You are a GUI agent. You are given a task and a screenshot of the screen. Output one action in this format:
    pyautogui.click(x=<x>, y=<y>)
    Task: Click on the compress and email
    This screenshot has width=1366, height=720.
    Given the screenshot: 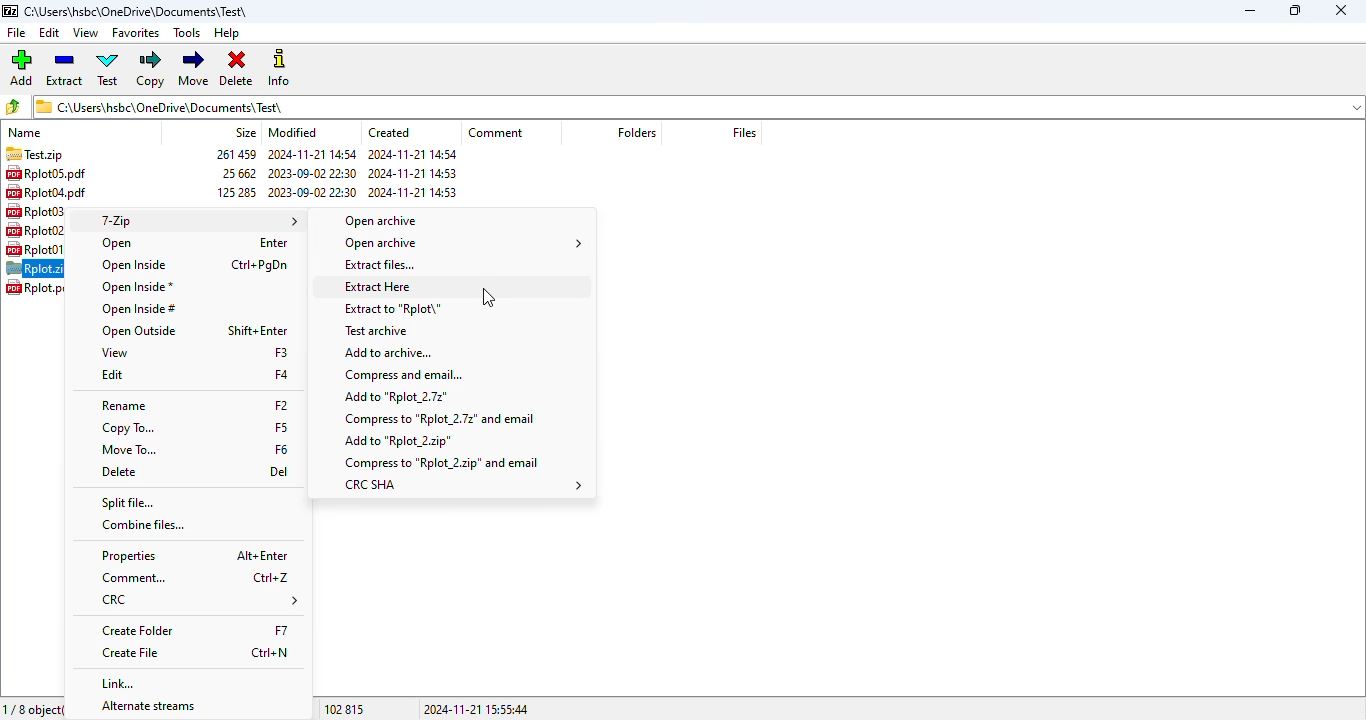 What is the action you would take?
    pyautogui.click(x=406, y=374)
    